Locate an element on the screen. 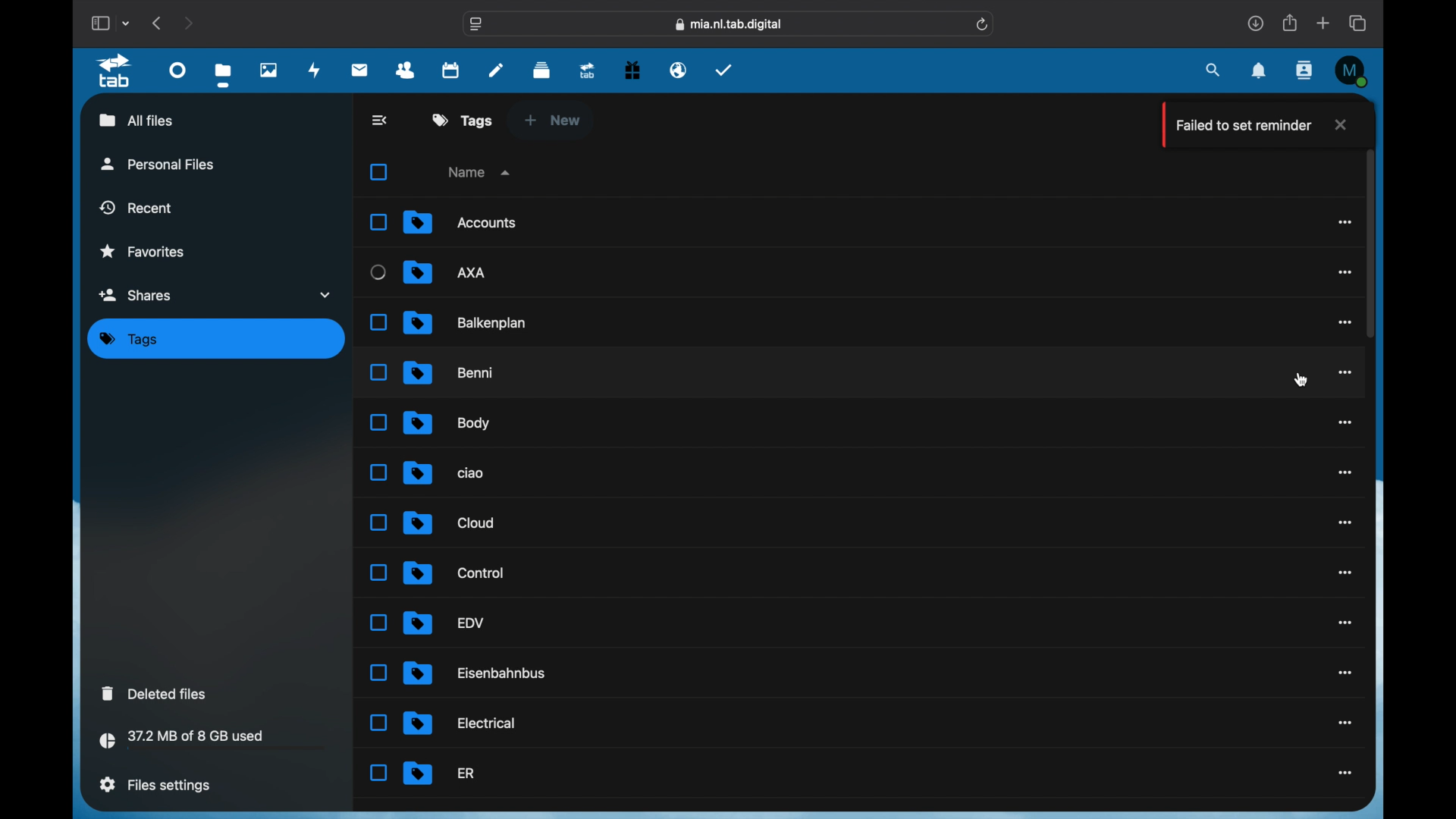 Image resolution: width=1456 pixels, height=819 pixels. name is located at coordinates (482, 171).